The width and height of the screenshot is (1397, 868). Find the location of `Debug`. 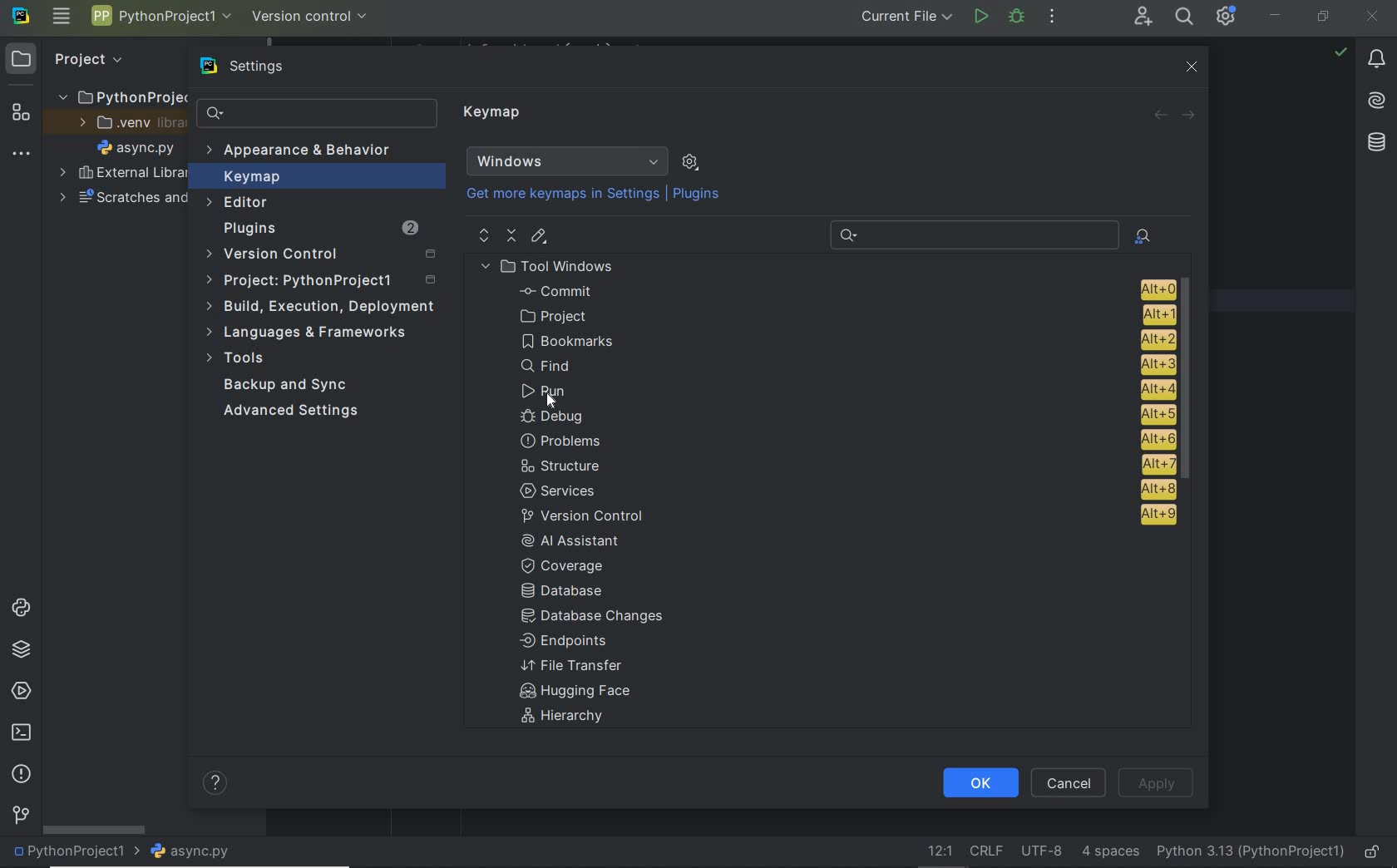

Debug is located at coordinates (1017, 17).